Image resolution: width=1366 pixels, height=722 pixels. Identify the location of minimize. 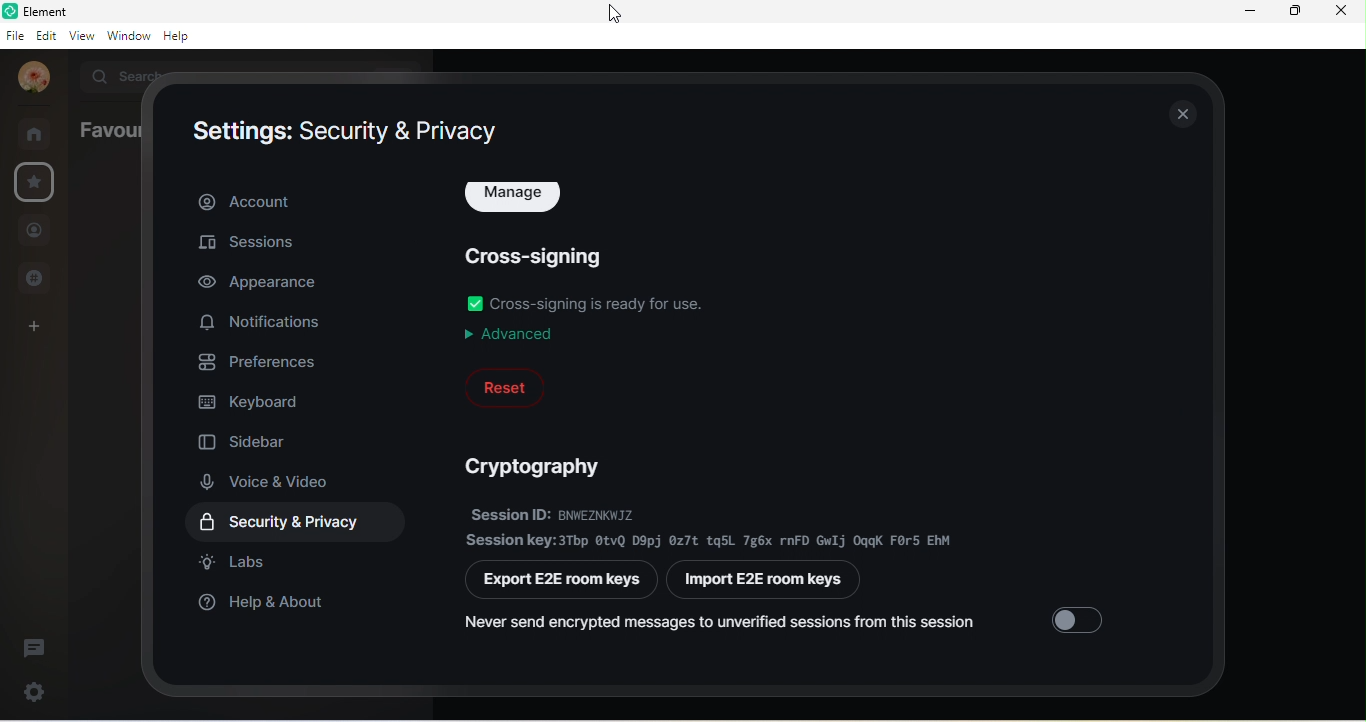
(1252, 11).